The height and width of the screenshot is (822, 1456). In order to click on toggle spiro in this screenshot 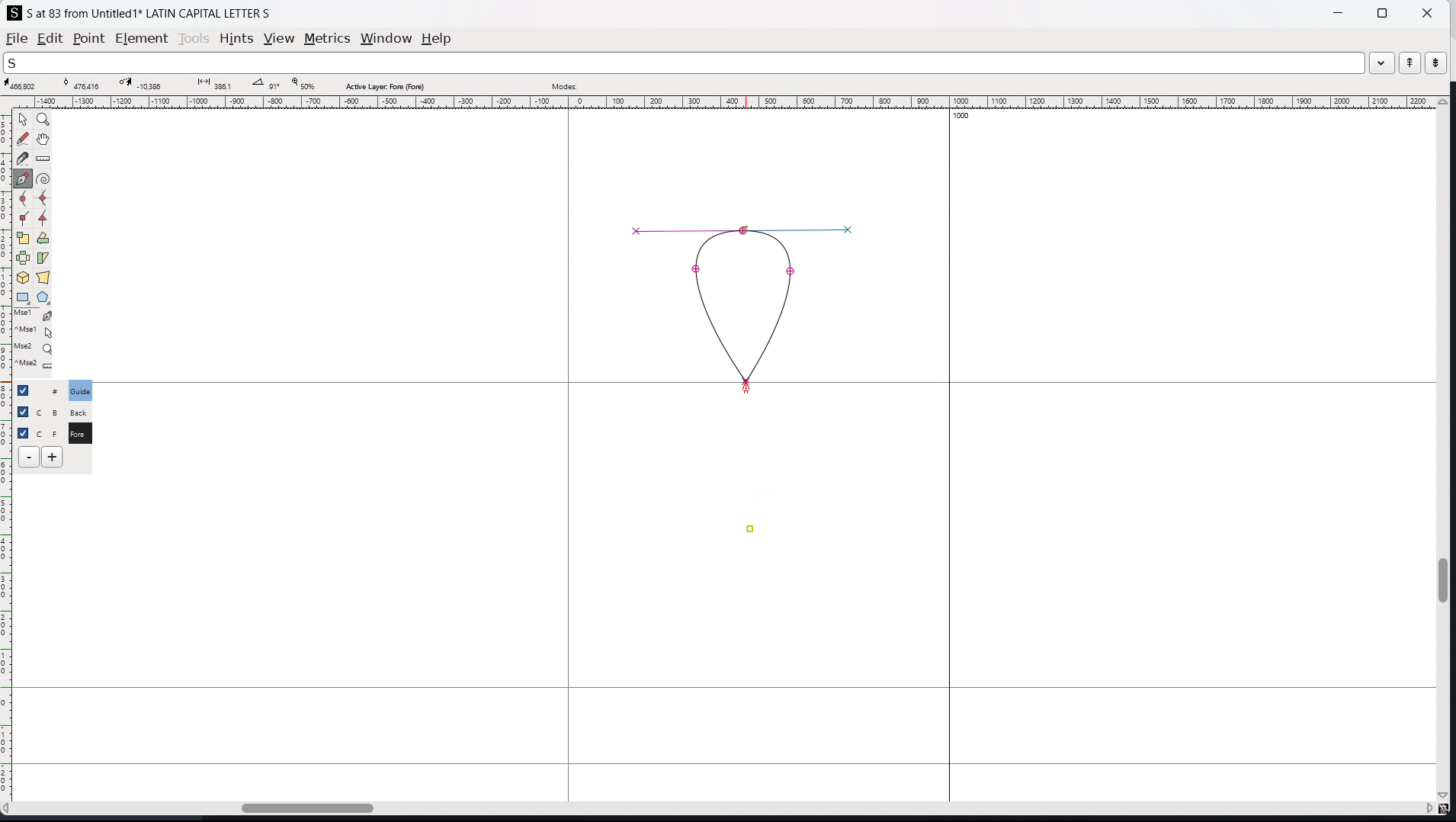, I will do `click(43, 178)`.